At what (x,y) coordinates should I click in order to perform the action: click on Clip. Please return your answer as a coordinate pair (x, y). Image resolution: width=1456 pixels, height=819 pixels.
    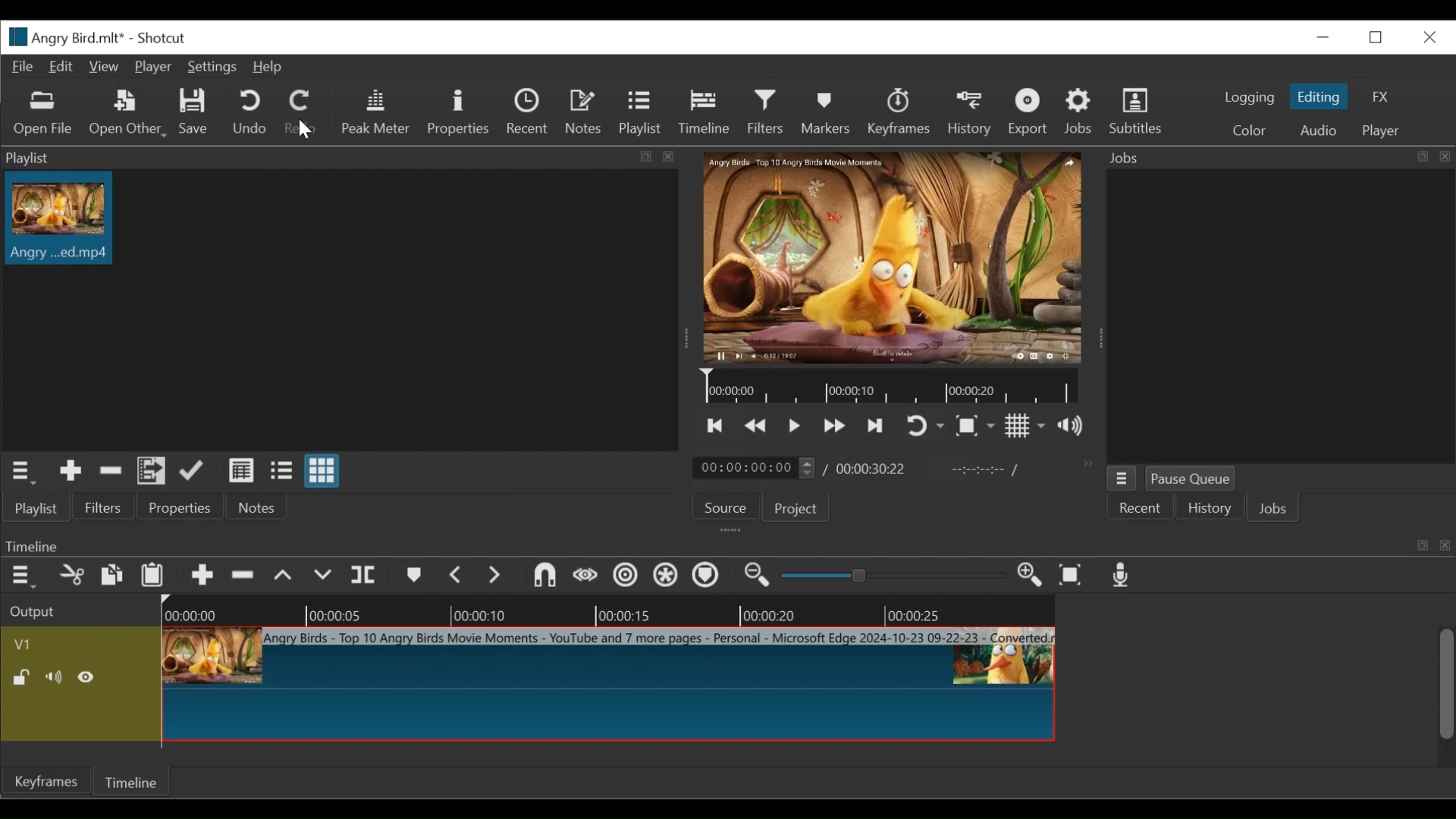
    Looking at the image, I should click on (64, 218).